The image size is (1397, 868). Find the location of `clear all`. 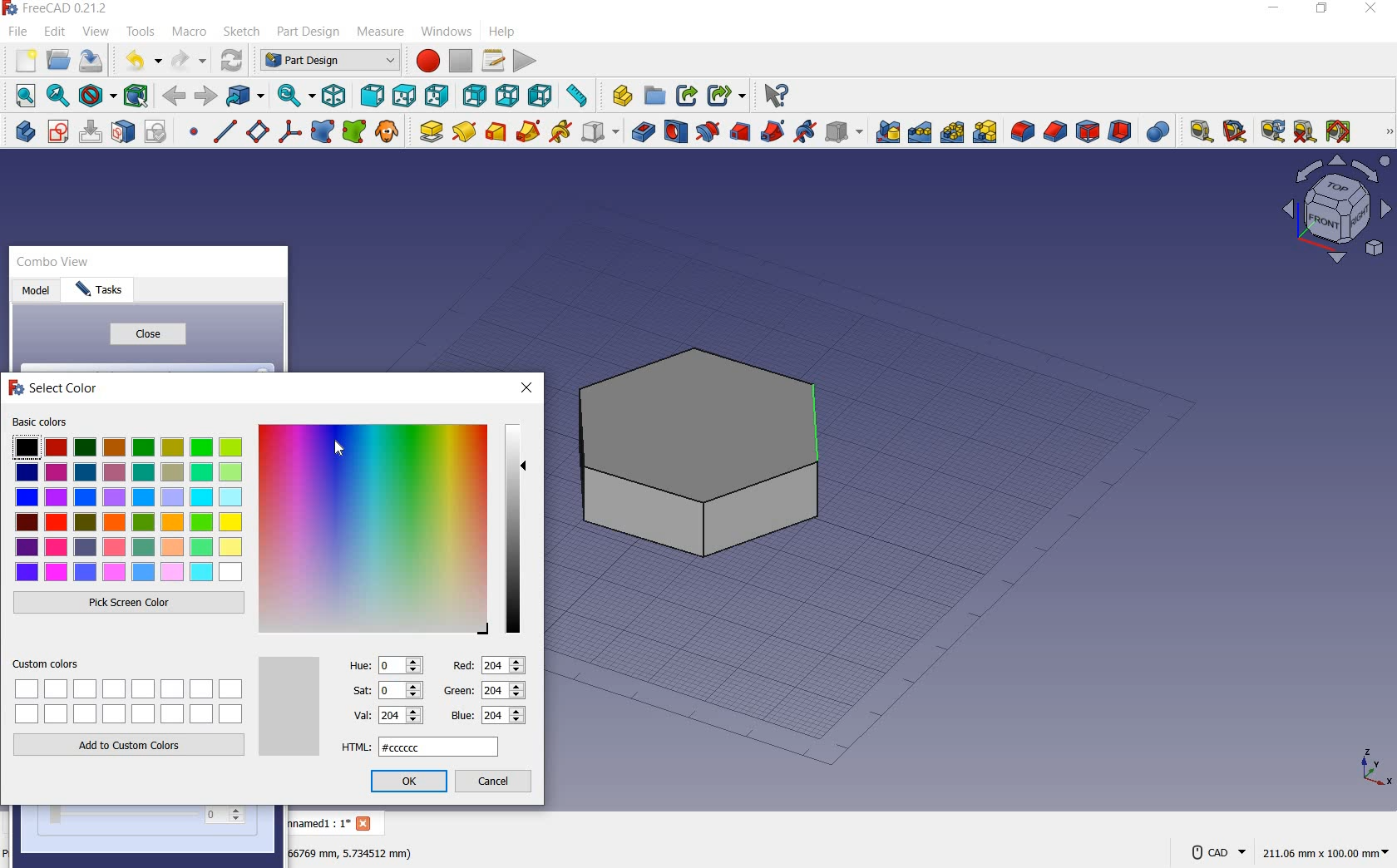

clear all is located at coordinates (1305, 132).